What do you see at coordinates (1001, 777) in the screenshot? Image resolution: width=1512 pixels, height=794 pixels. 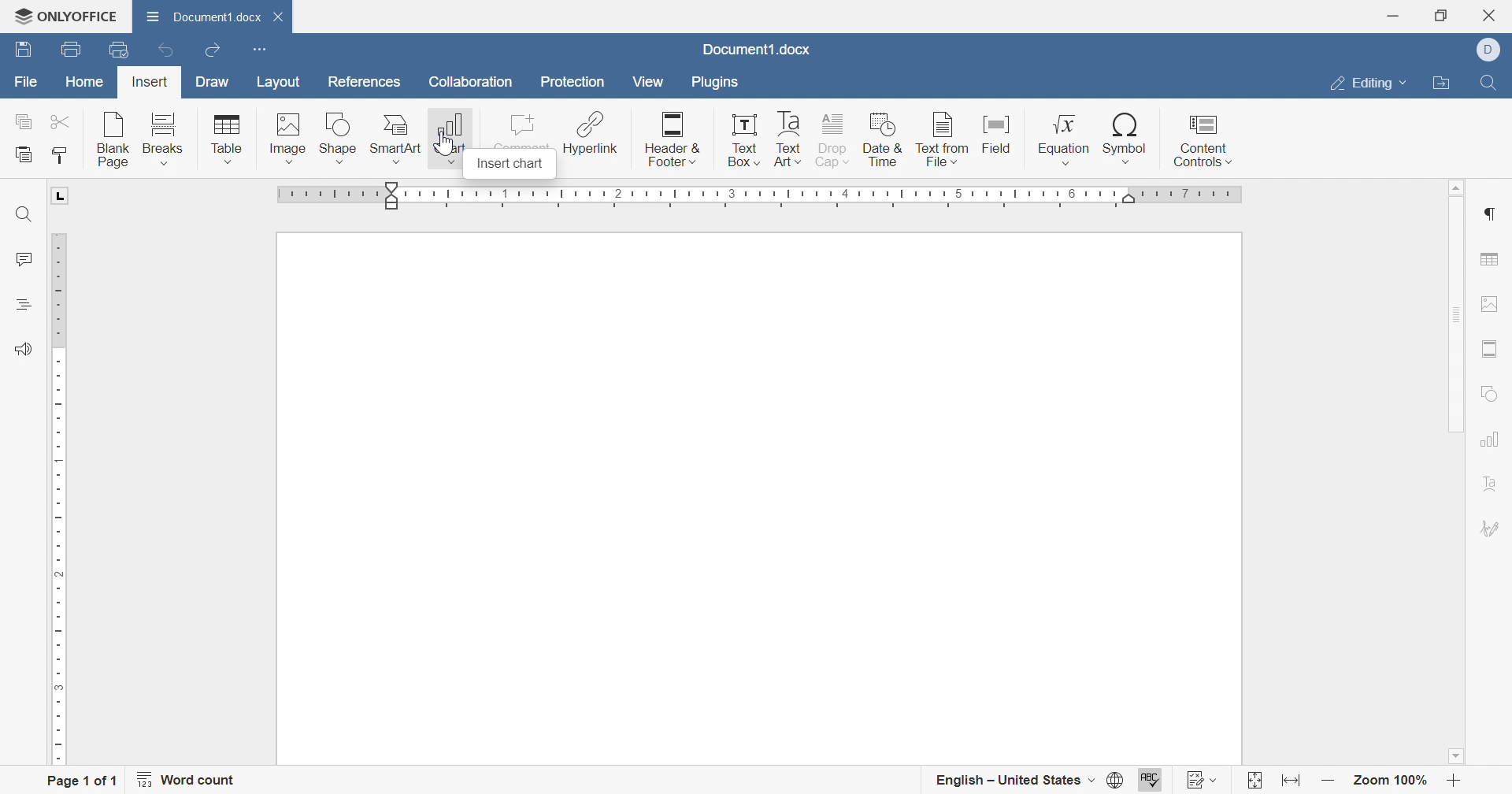 I see `English - United States` at bounding box center [1001, 777].